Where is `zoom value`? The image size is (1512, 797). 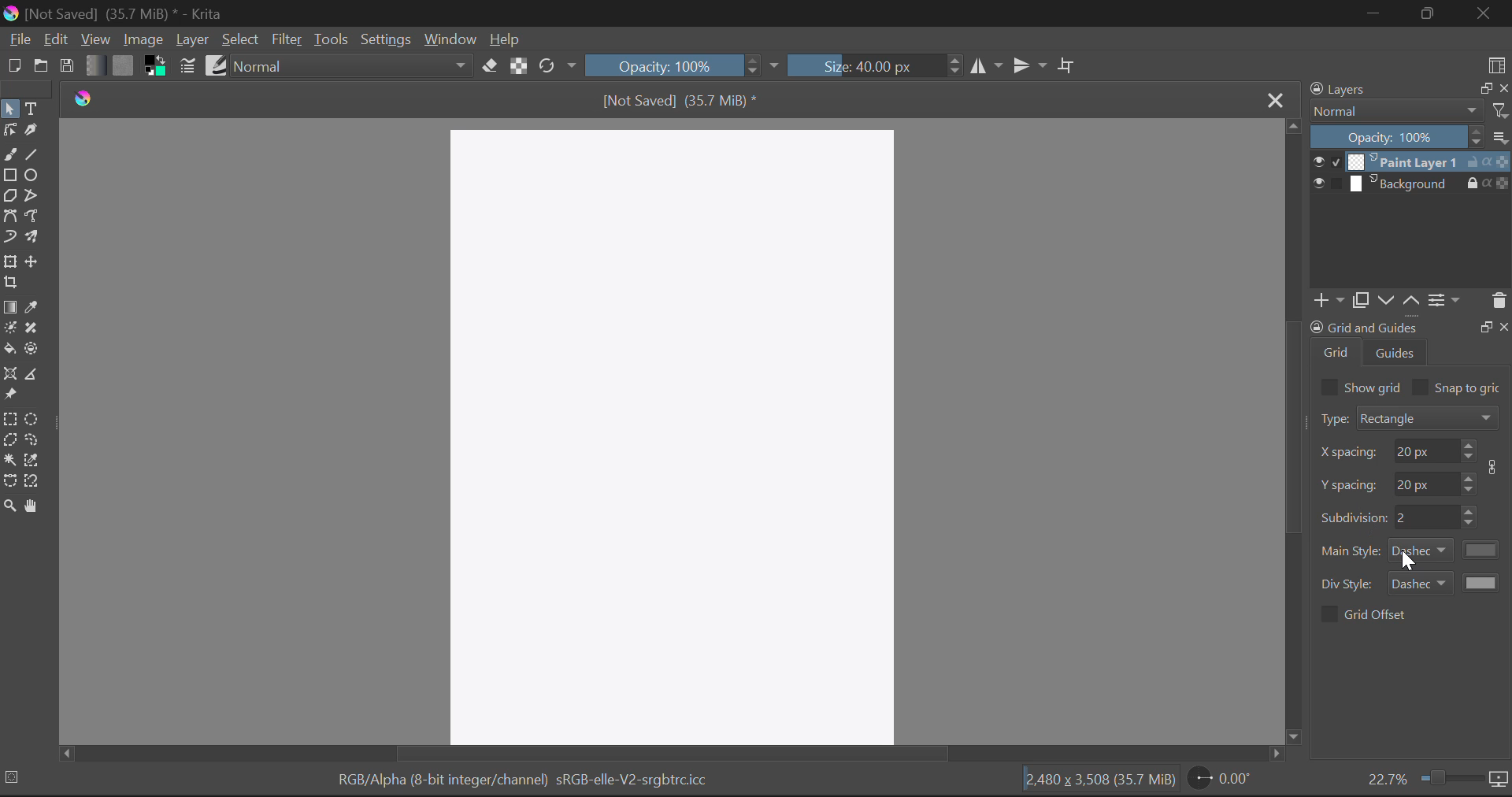
zoom value is located at coordinates (1387, 777).